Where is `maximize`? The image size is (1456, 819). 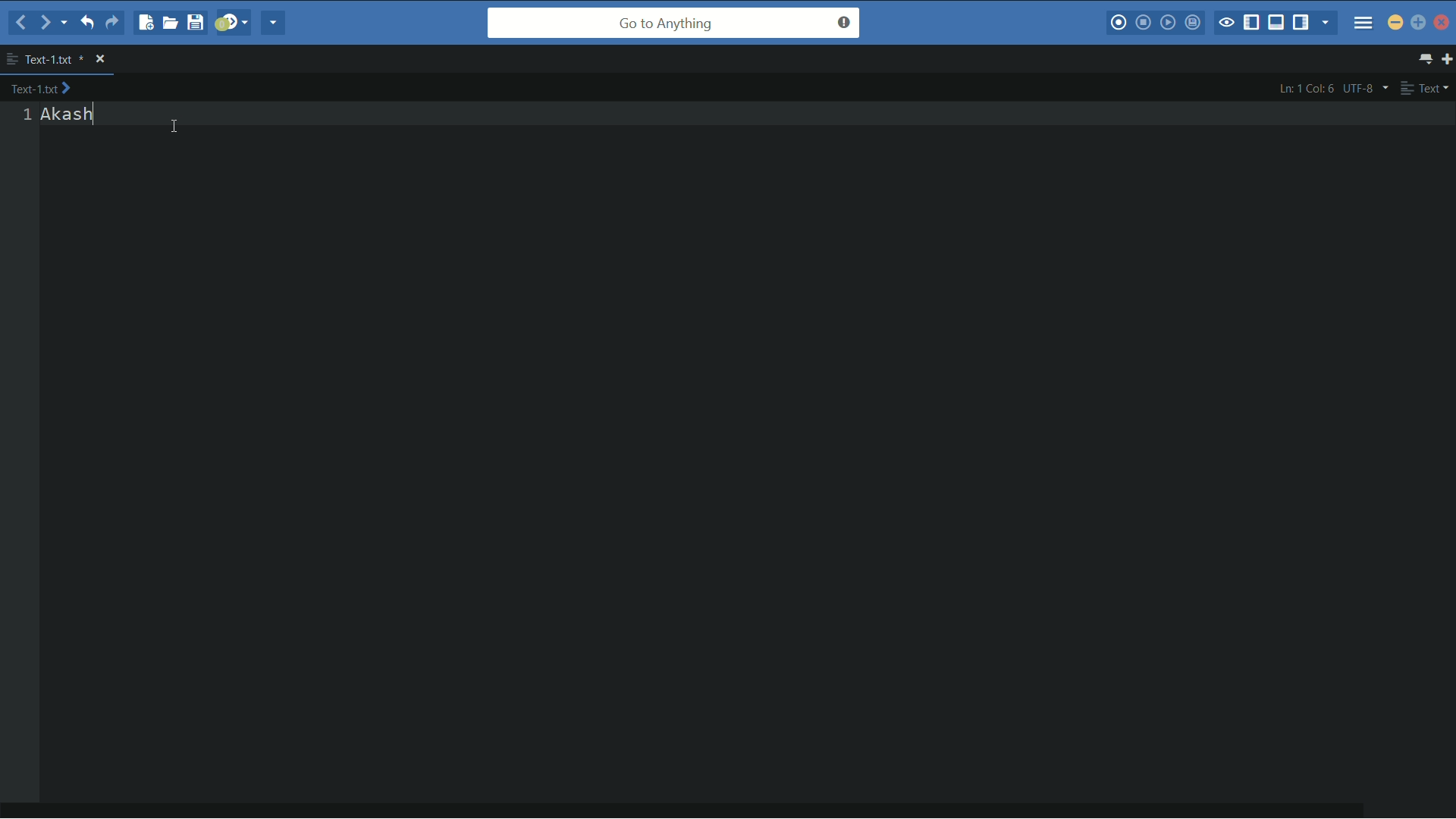
maximize is located at coordinates (1418, 22).